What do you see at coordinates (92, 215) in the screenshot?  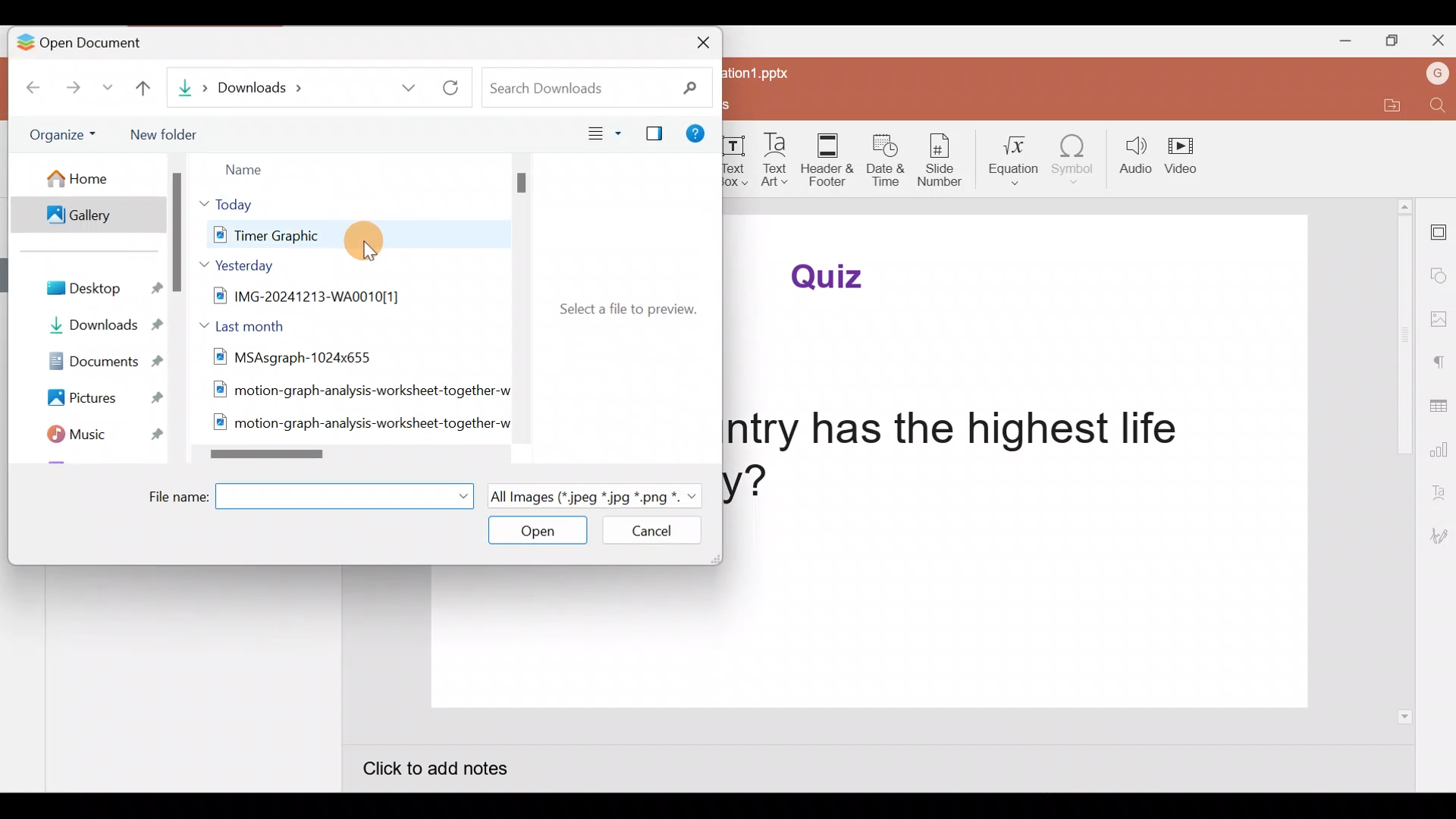 I see `Gallery` at bounding box center [92, 215].